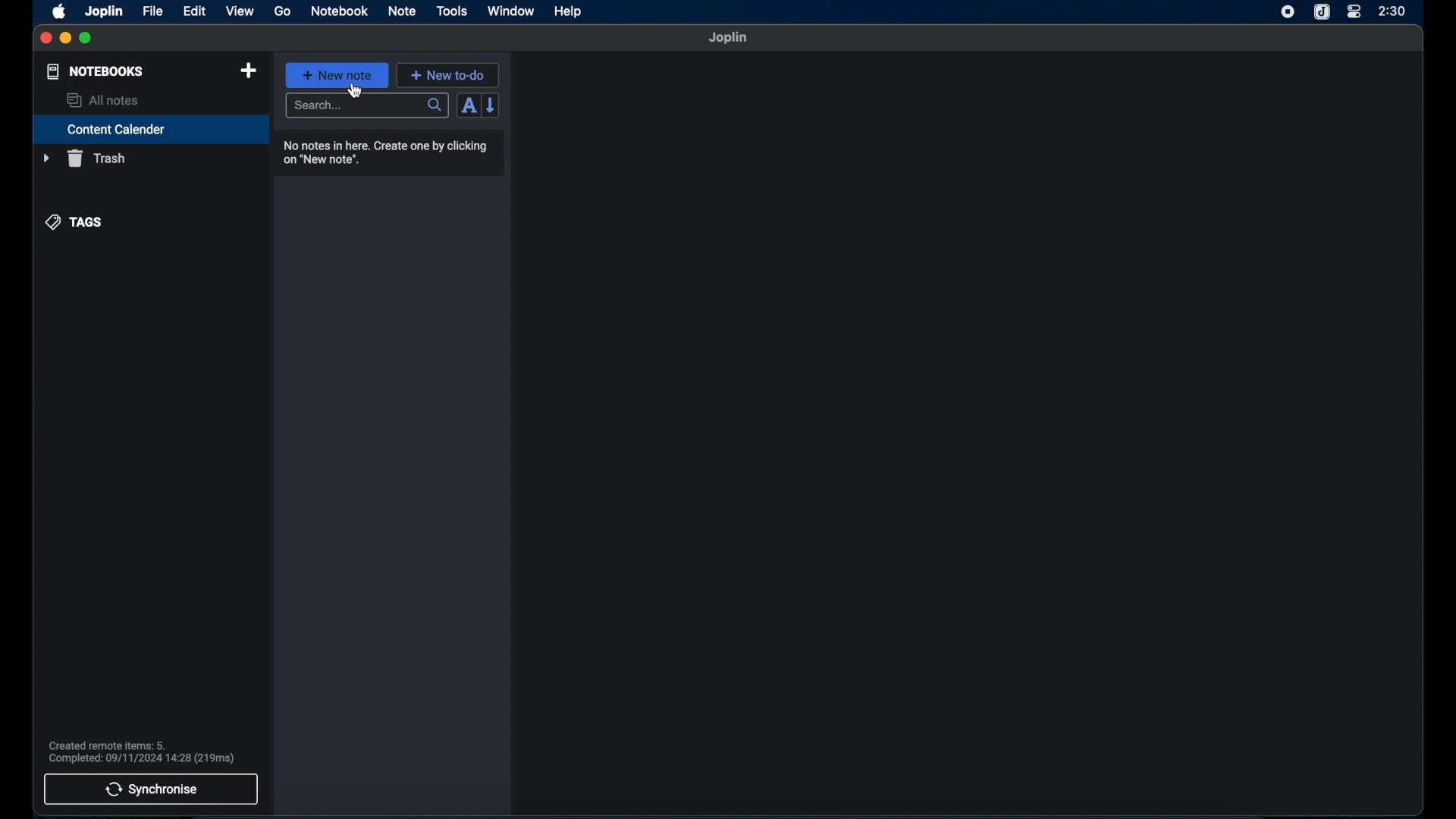 The height and width of the screenshot is (819, 1456). I want to click on joplin icon, so click(1321, 12).